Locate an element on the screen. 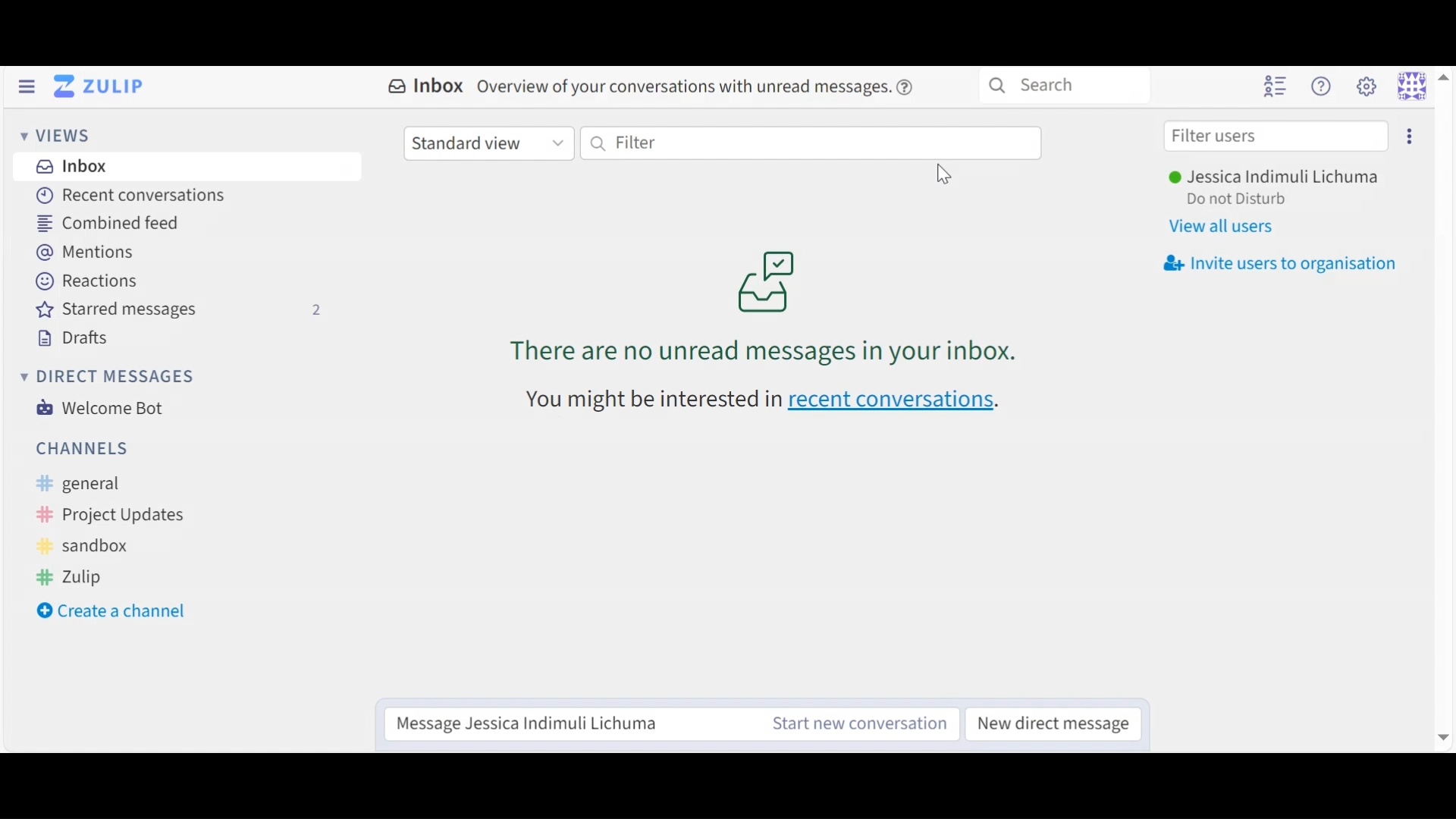 The image size is (1456, 819). Username is located at coordinates (1272, 178).